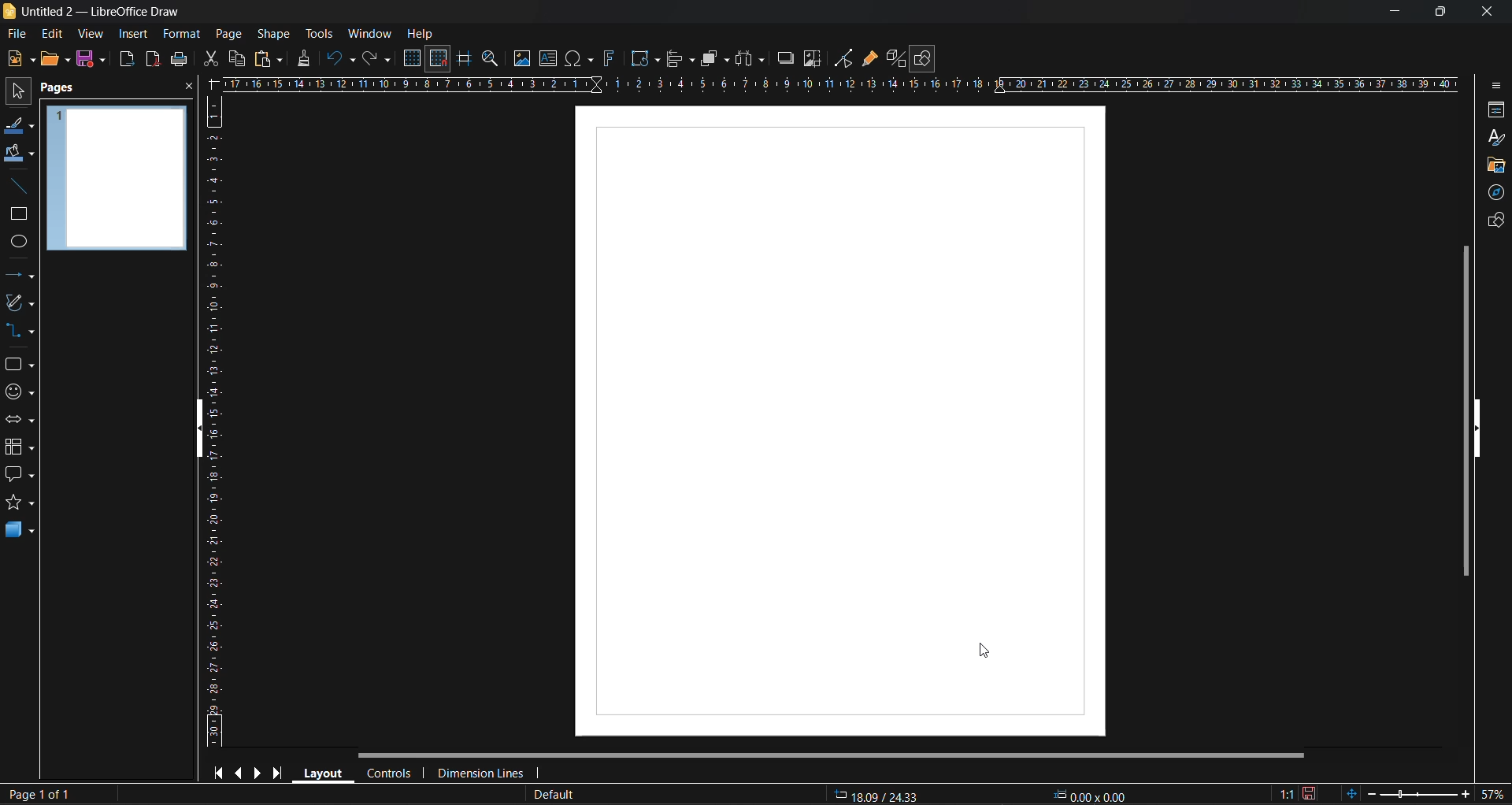  I want to click on properties, so click(1495, 109).